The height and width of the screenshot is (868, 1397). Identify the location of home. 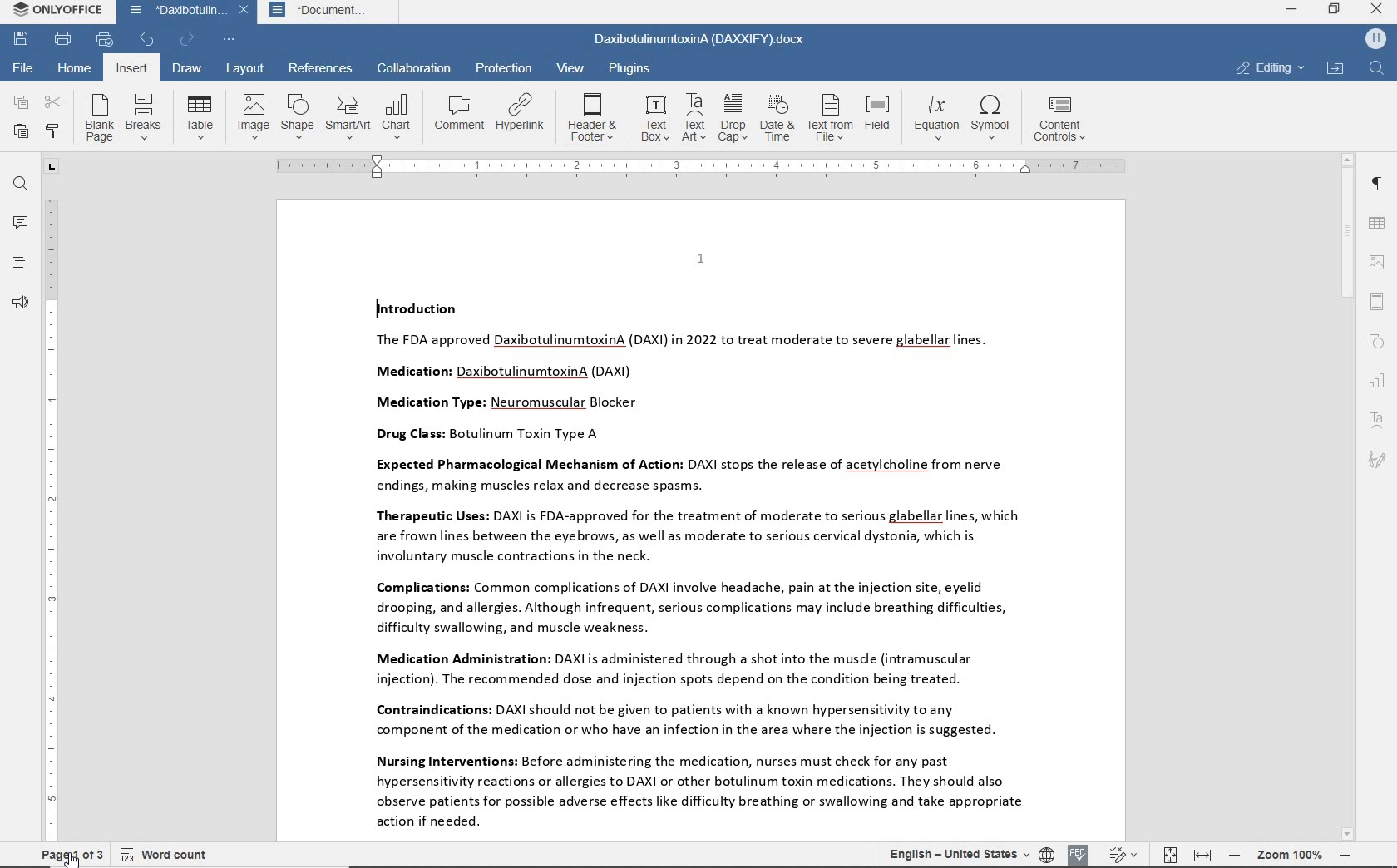
(76, 70).